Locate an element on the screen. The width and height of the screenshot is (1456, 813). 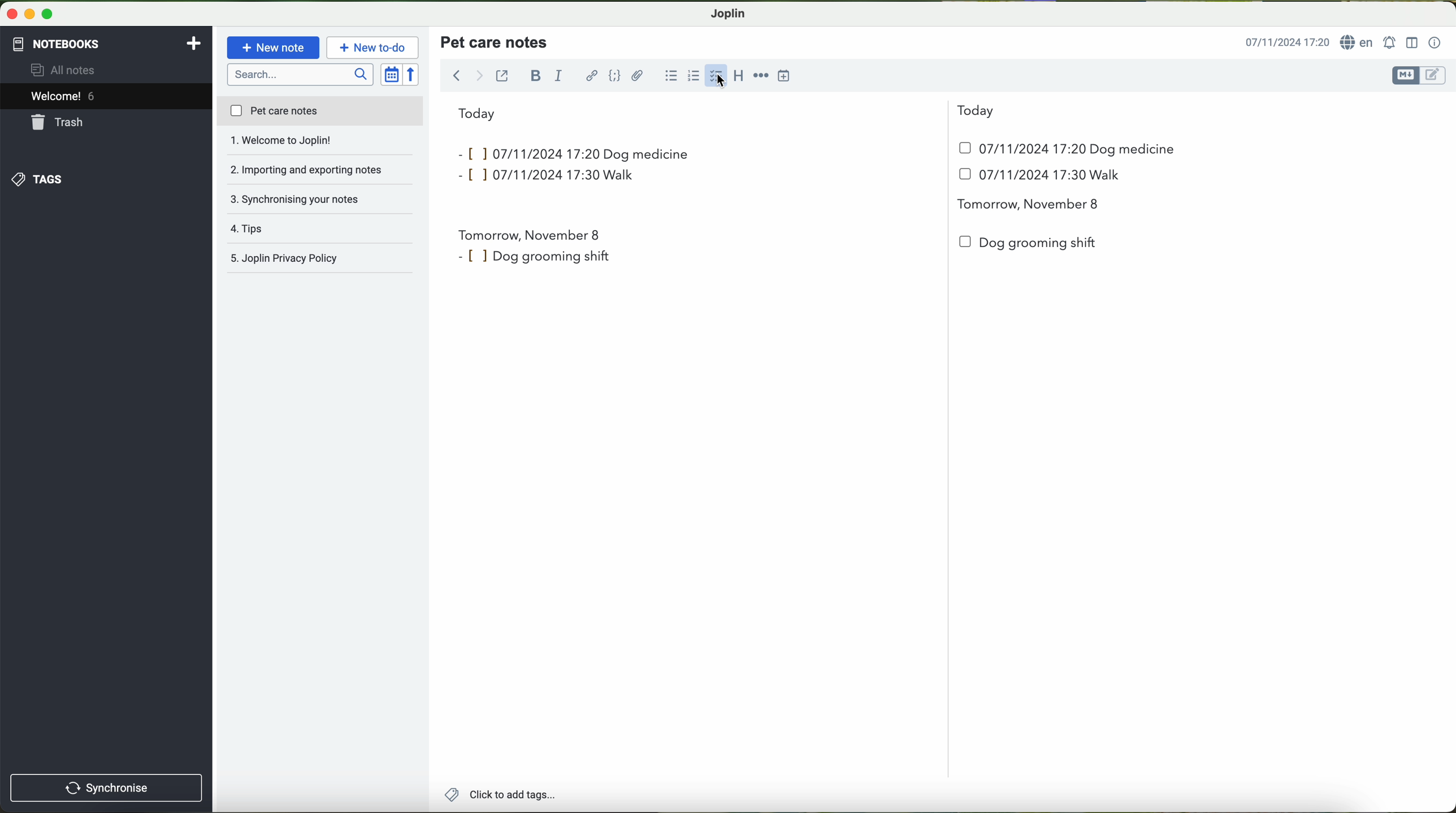
date and hour is located at coordinates (1013, 148).